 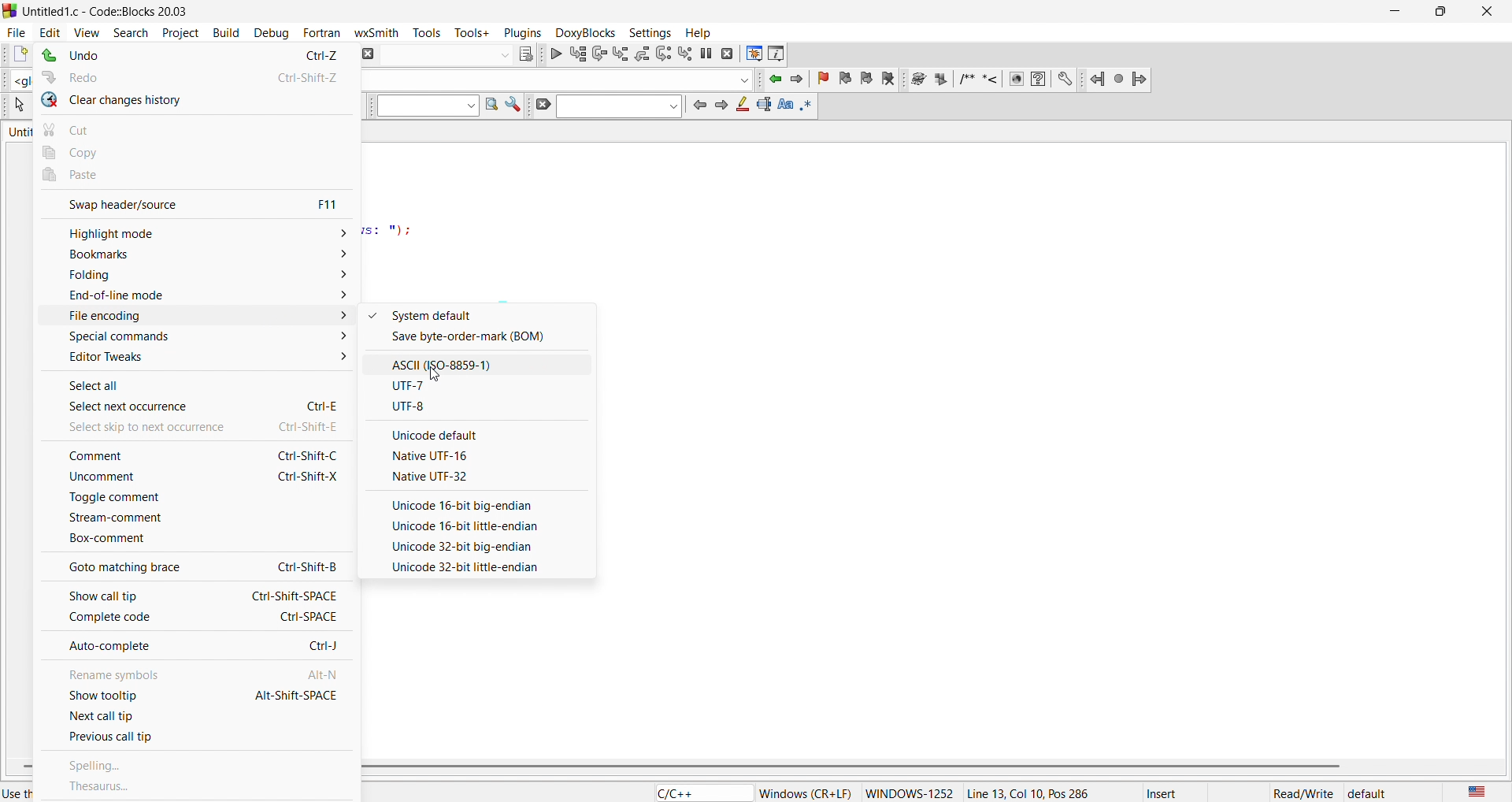 I want to click on next, so click(x=721, y=106).